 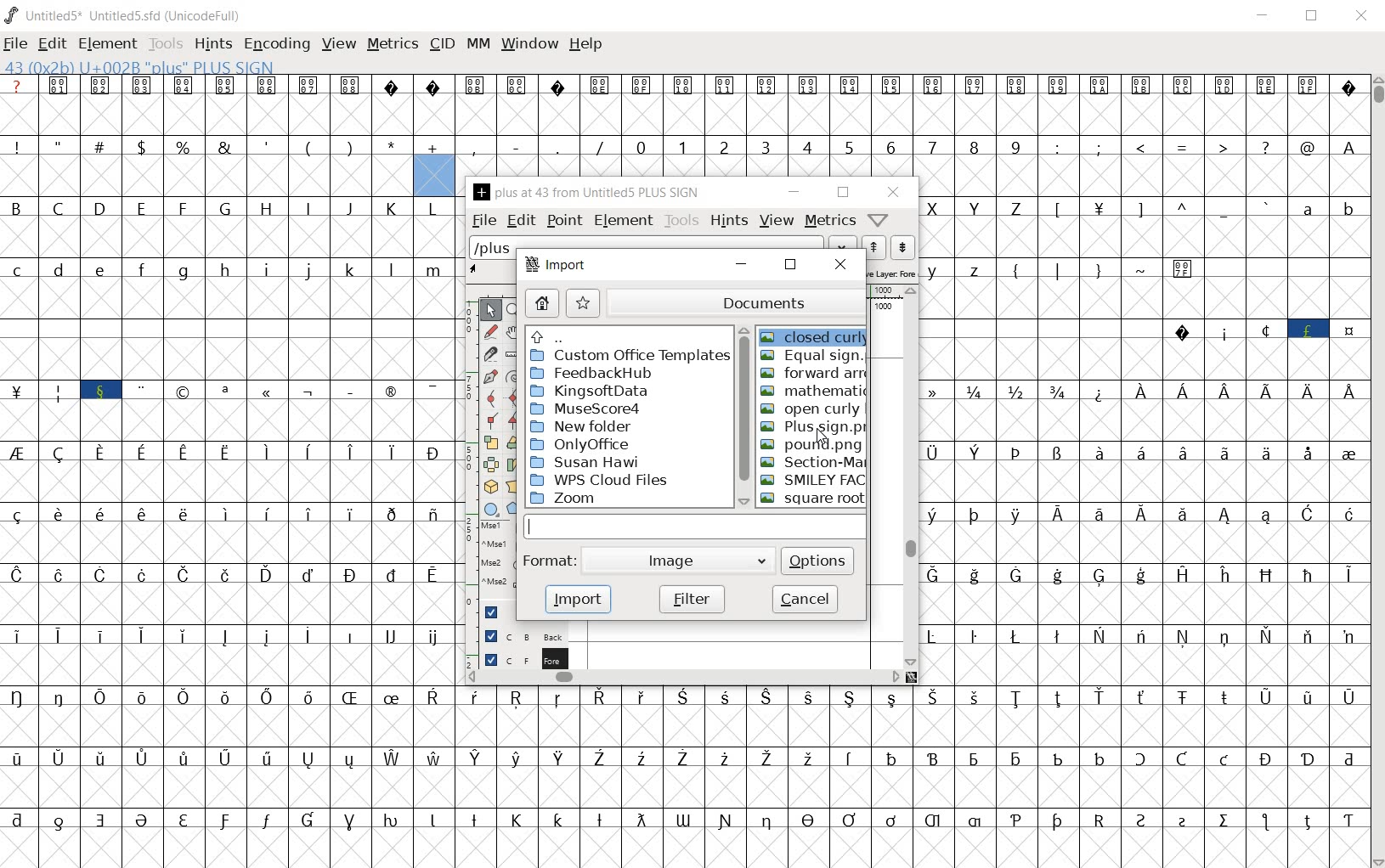 What do you see at coordinates (229, 350) in the screenshot?
I see `slot` at bounding box center [229, 350].